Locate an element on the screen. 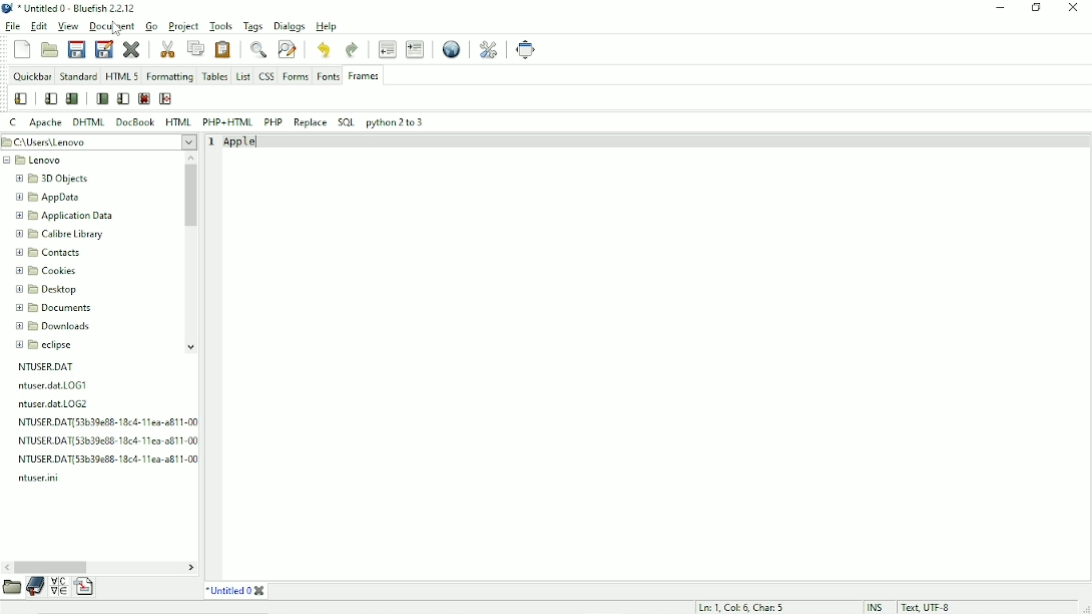  Cookies is located at coordinates (48, 270).